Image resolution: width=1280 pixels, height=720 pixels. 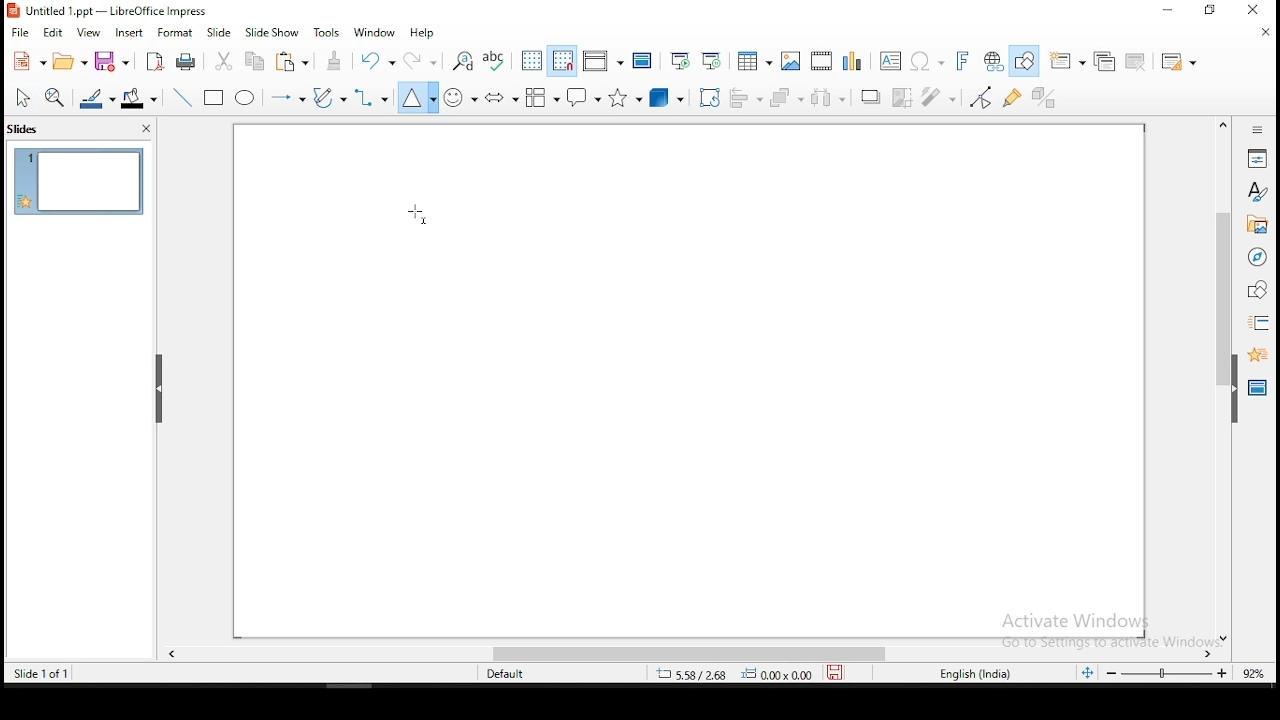 What do you see at coordinates (821, 59) in the screenshot?
I see `insert audio and video` at bounding box center [821, 59].